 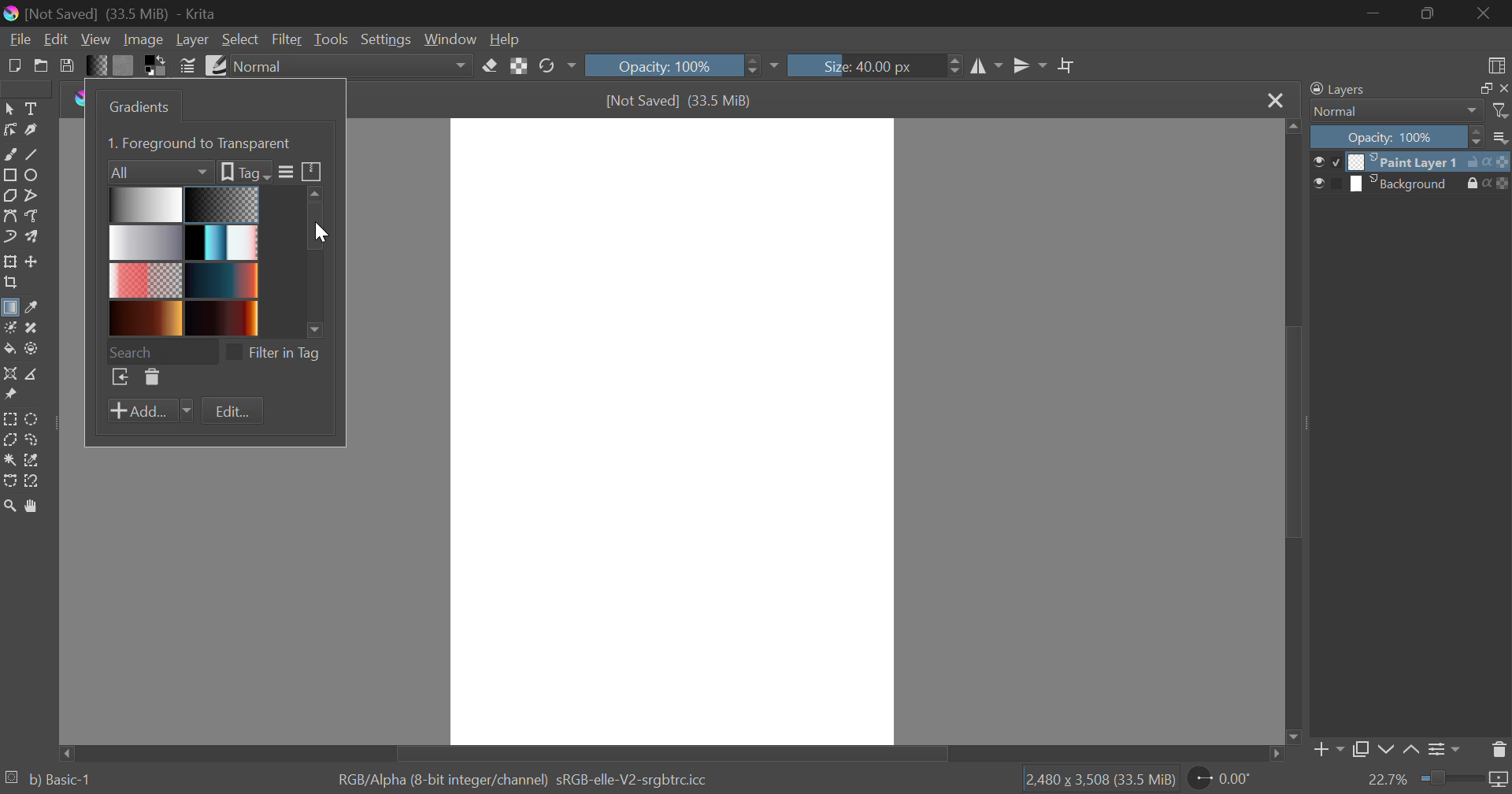 What do you see at coordinates (1388, 111) in the screenshot?
I see `Normal` at bounding box center [1388, 111].